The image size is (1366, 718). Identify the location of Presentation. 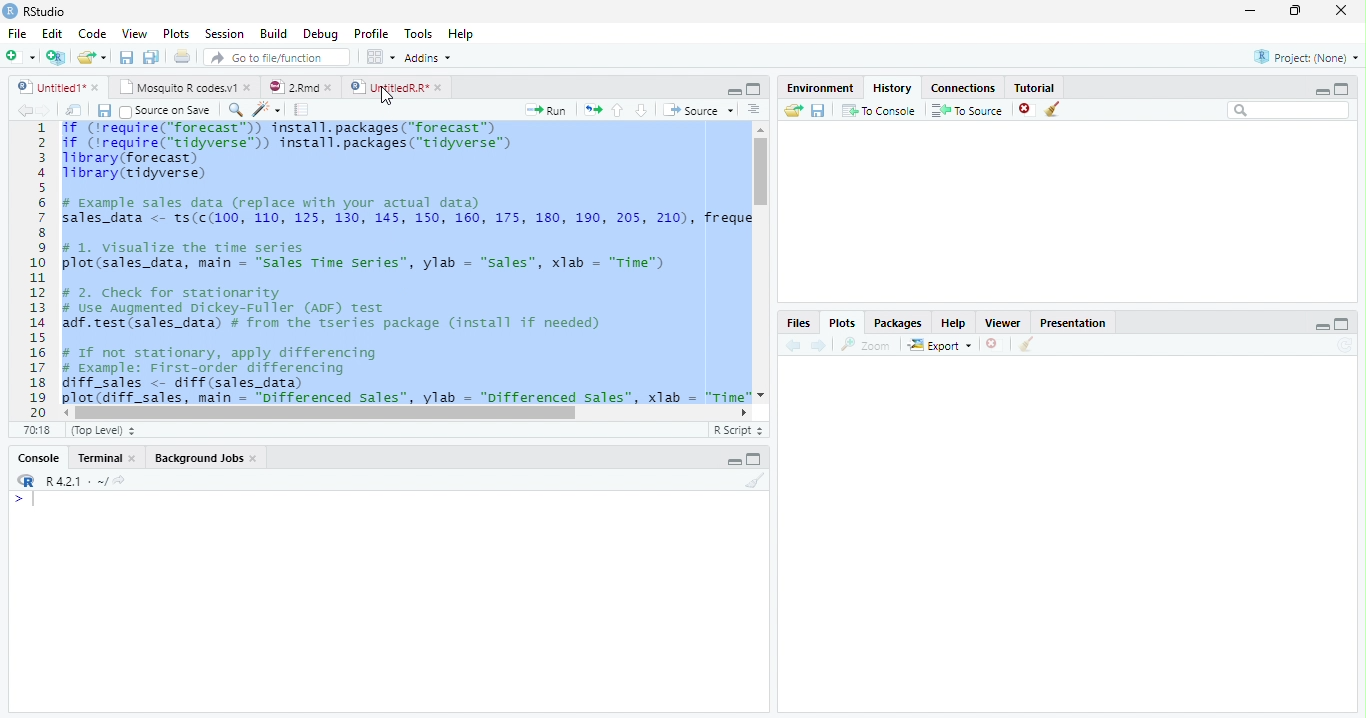
(1073, 323).